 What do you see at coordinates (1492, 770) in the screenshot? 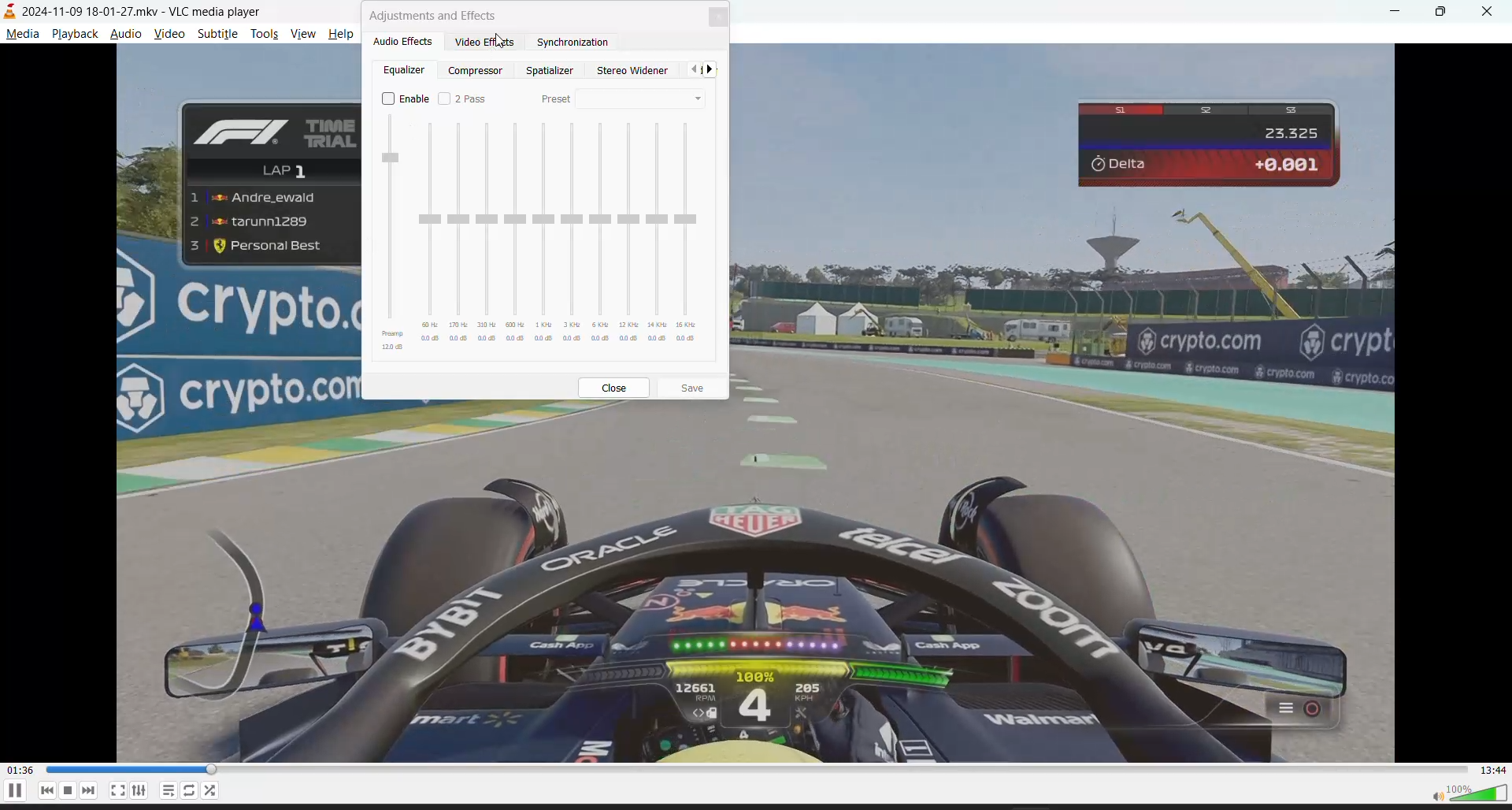
I see `total track time` at bounding box center [1492, 770].